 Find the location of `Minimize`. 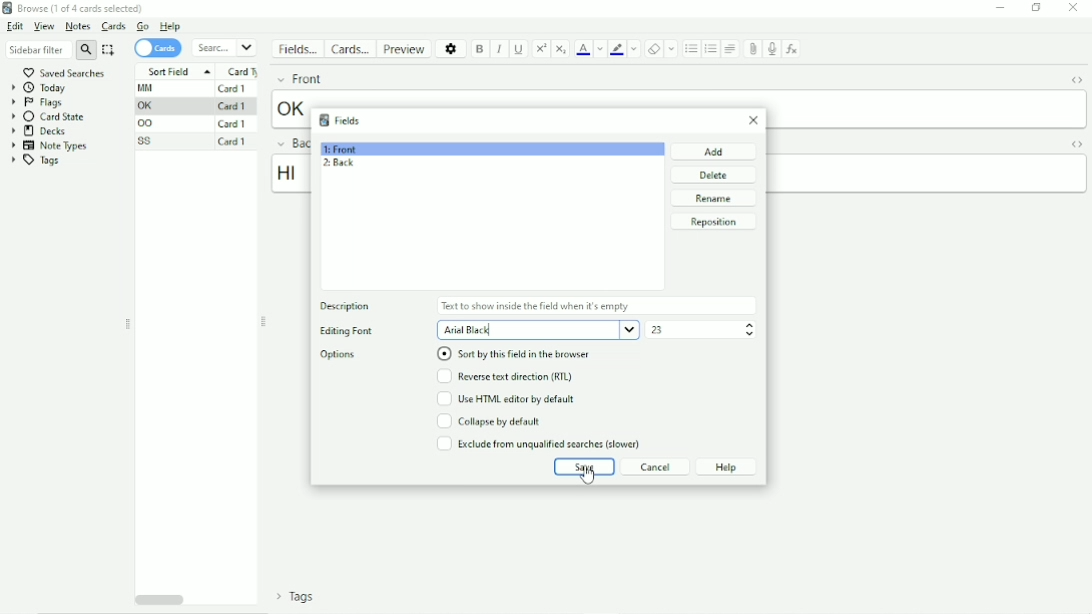

Minimize is located at coordinates (1001, 8).